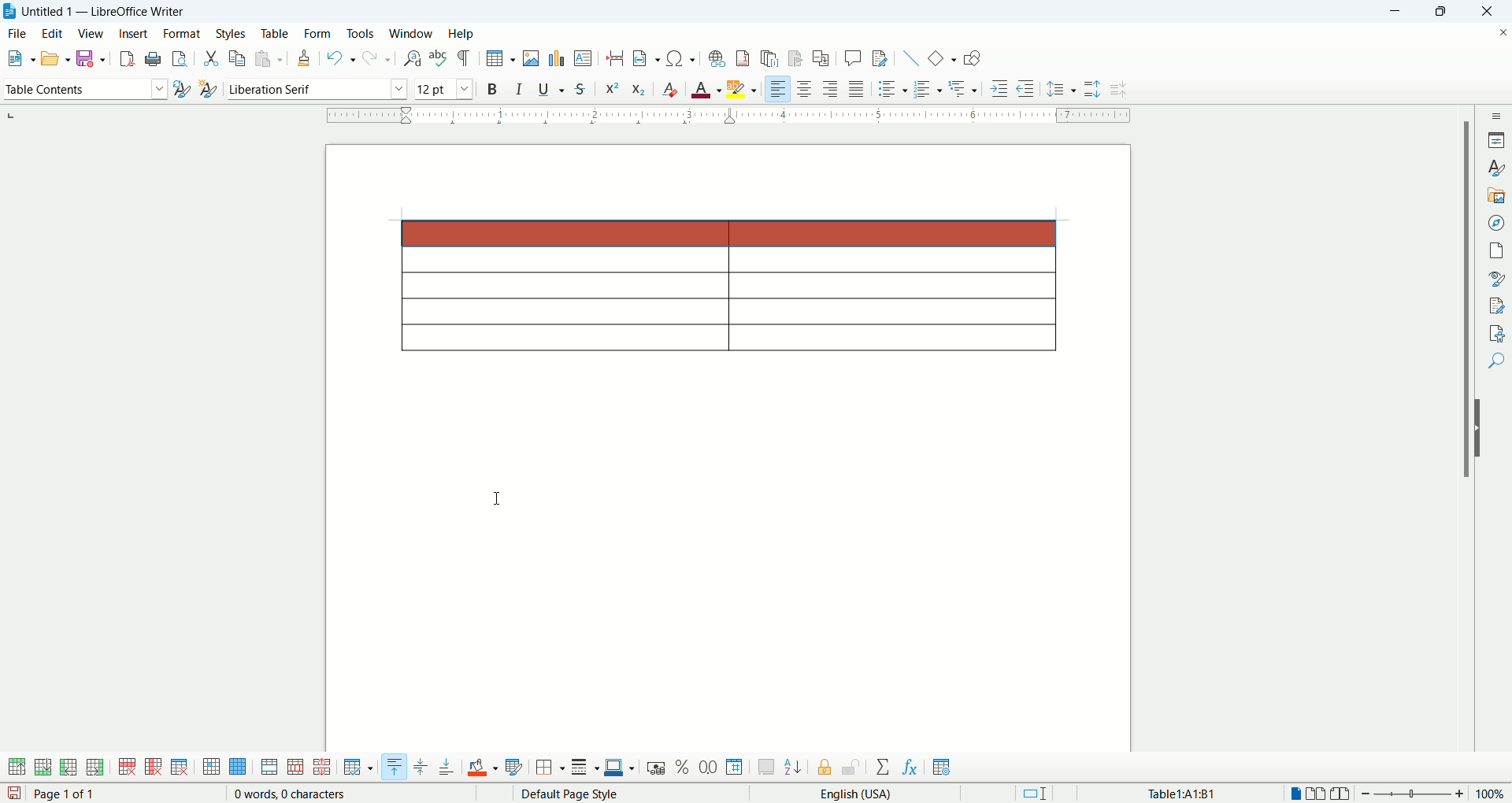  What do you see at coordinates (881, 57) in the screenshot?
I see `track changes` at bounding box center [881, 57].